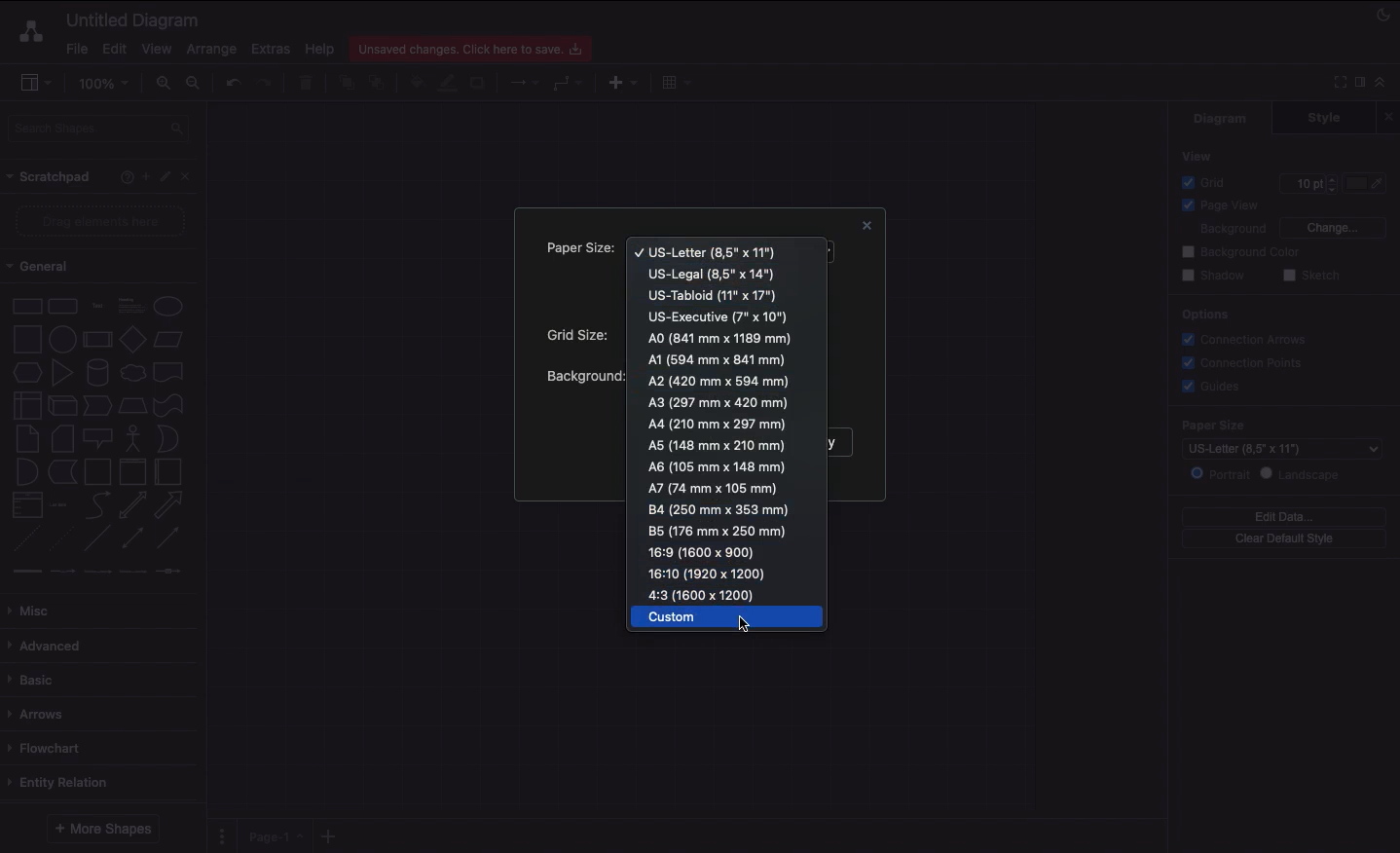 Image resolution: width=1400 pixels, height=853 pixels. Describe the element at coordinates (1243, 252) in the screenshot. I see `Background color` at that location.